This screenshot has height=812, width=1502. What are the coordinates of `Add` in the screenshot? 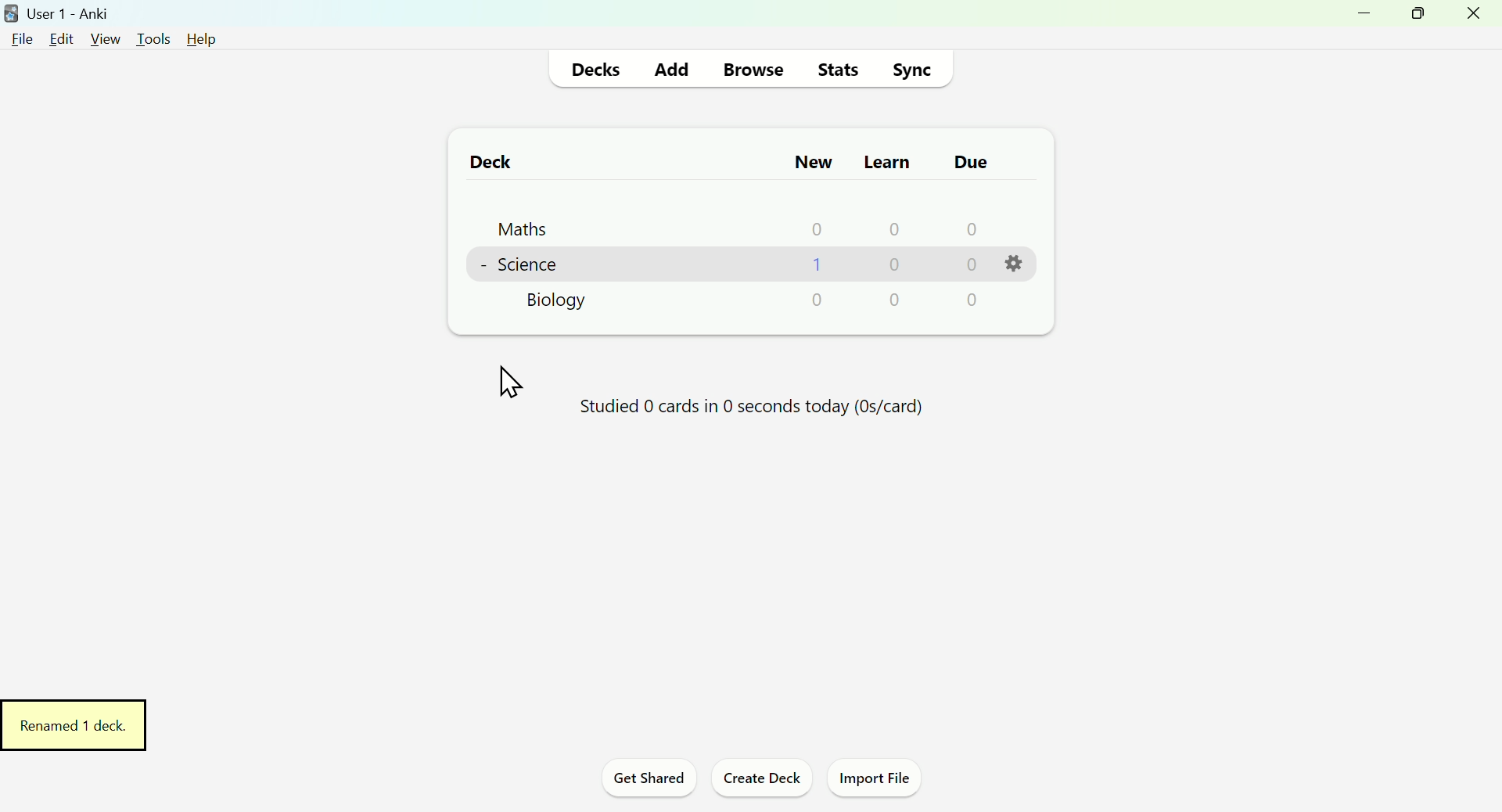 It's located at (672, 66).